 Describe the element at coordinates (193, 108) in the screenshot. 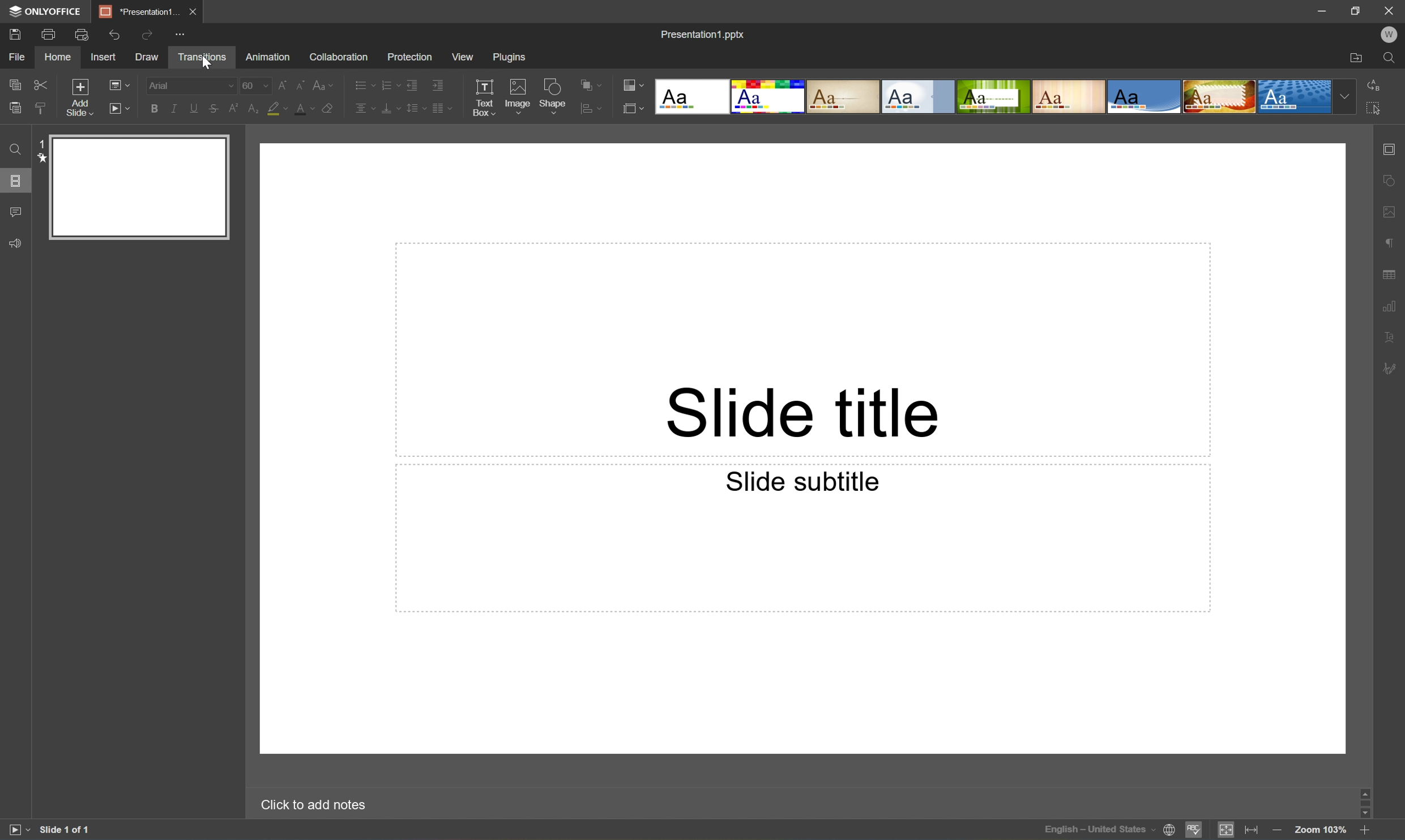

I see `Underline` at that location.